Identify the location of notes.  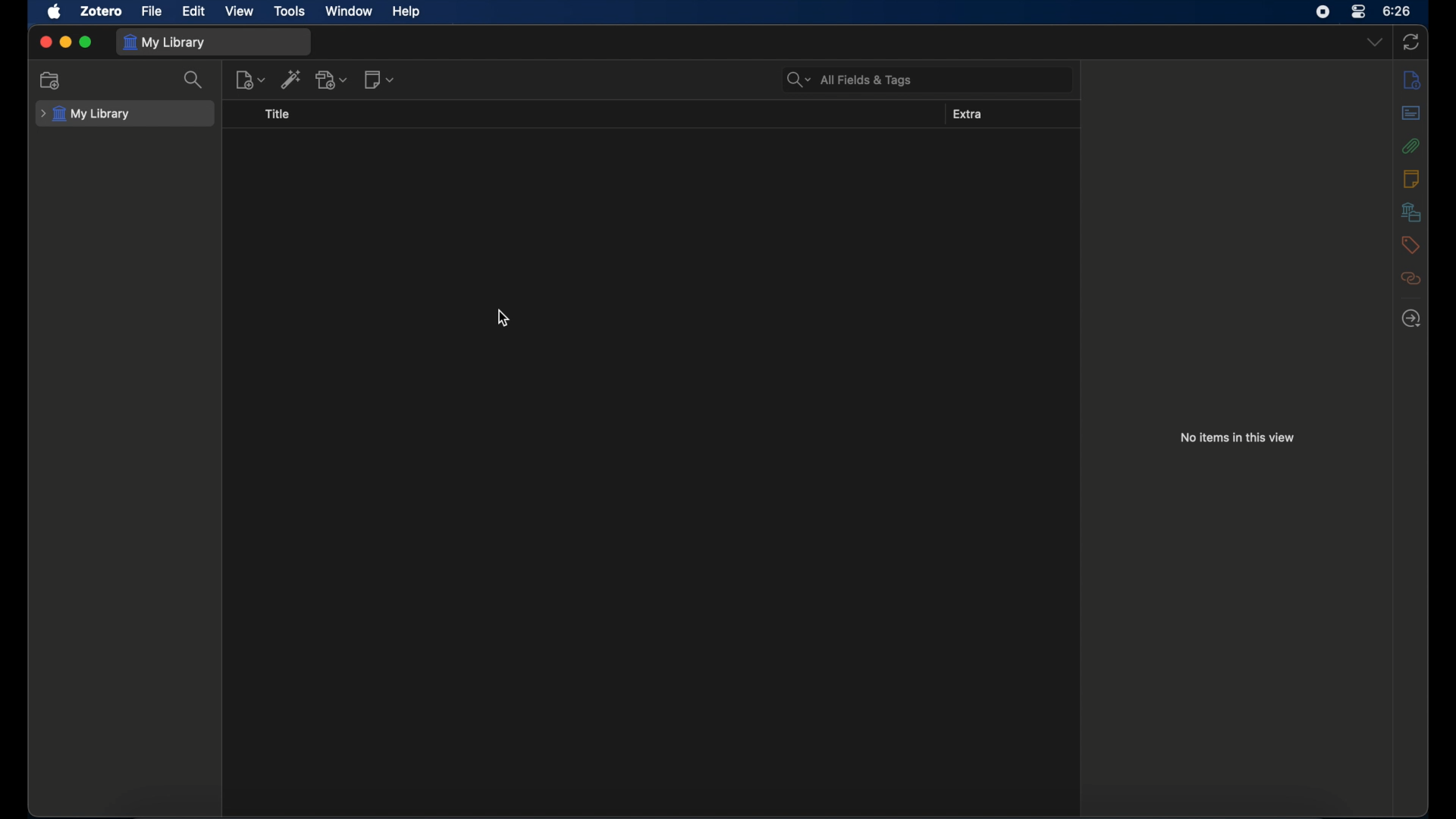
(1412, 179).